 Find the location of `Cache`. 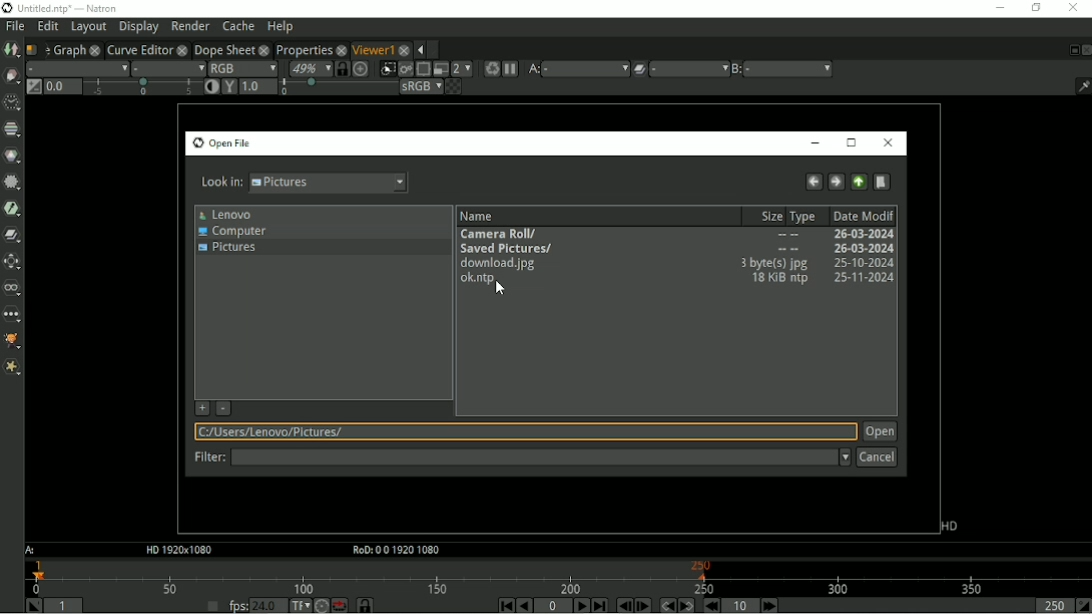

Cache is located at coordinates (238, 26).